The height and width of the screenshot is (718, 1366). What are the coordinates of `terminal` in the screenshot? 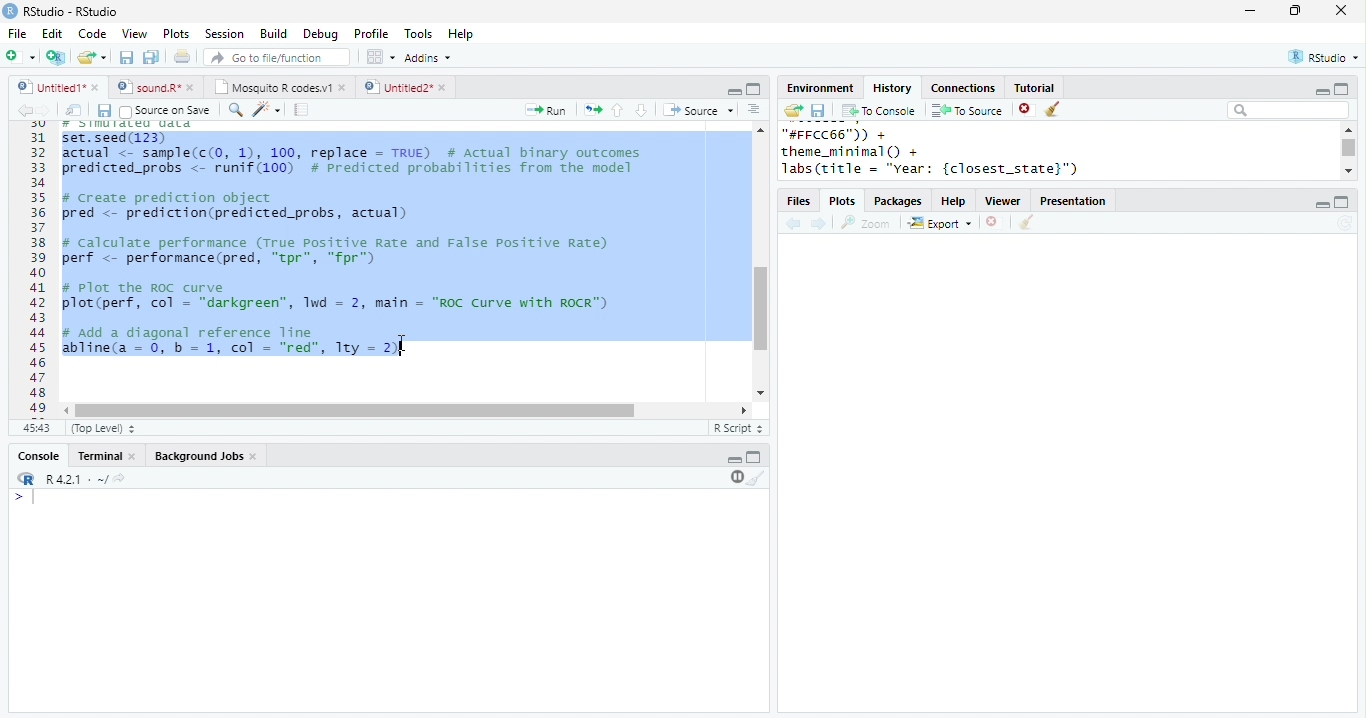 It's located at (97, 457).